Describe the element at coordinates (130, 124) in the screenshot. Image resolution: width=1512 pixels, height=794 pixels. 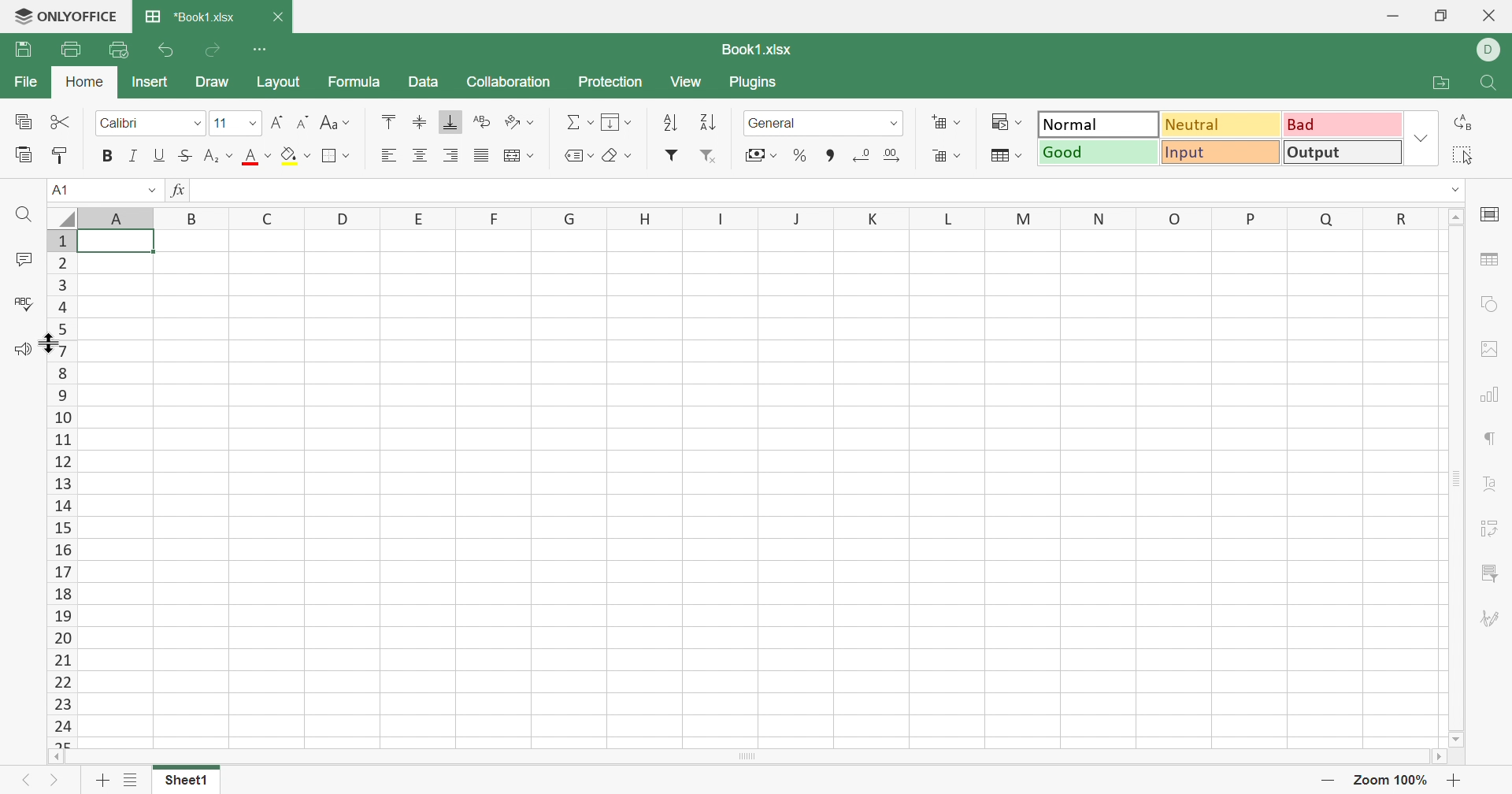
I see `Calibri` at that location.